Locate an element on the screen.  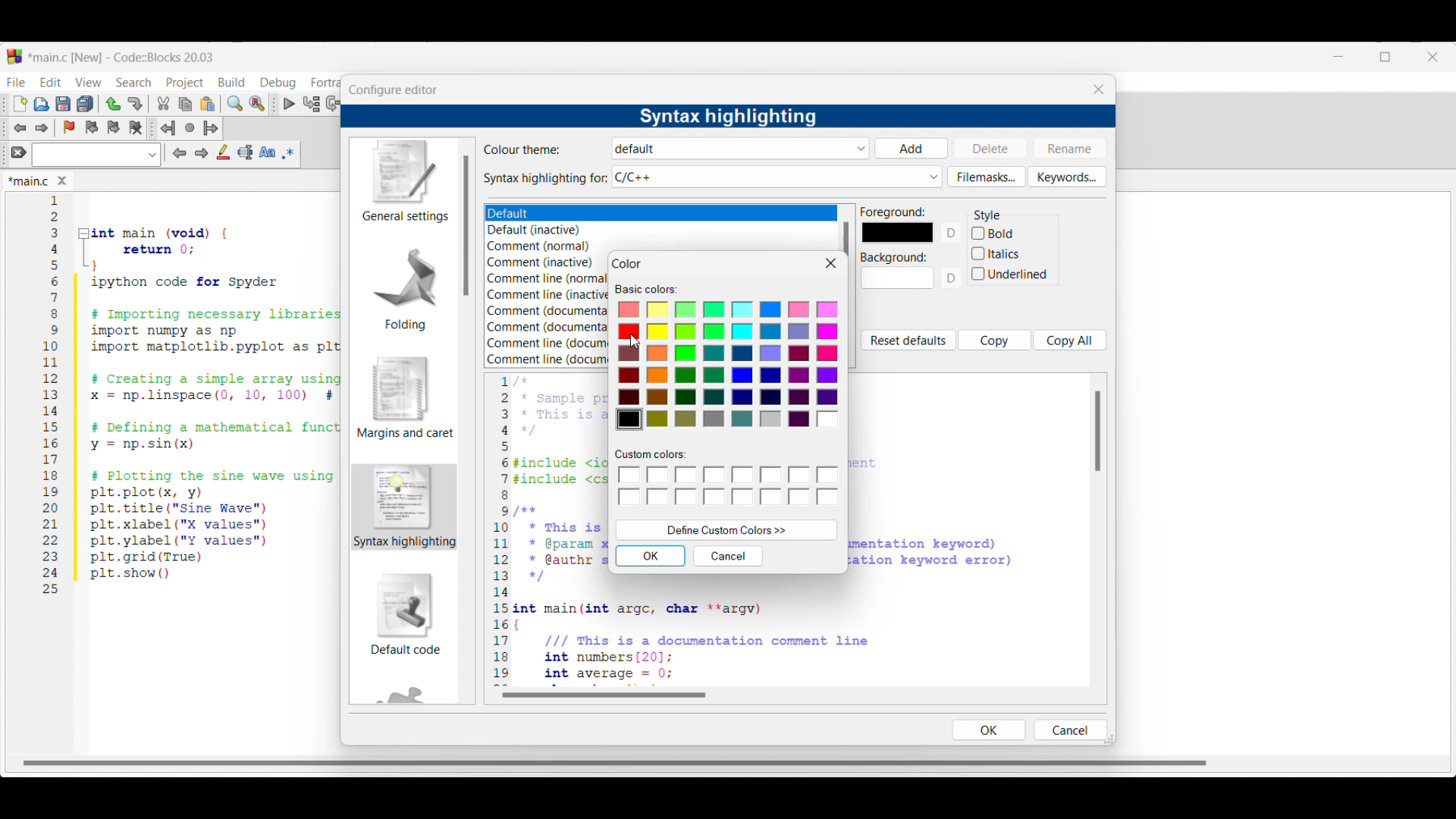
Next line is located at coordinates (334, 104).